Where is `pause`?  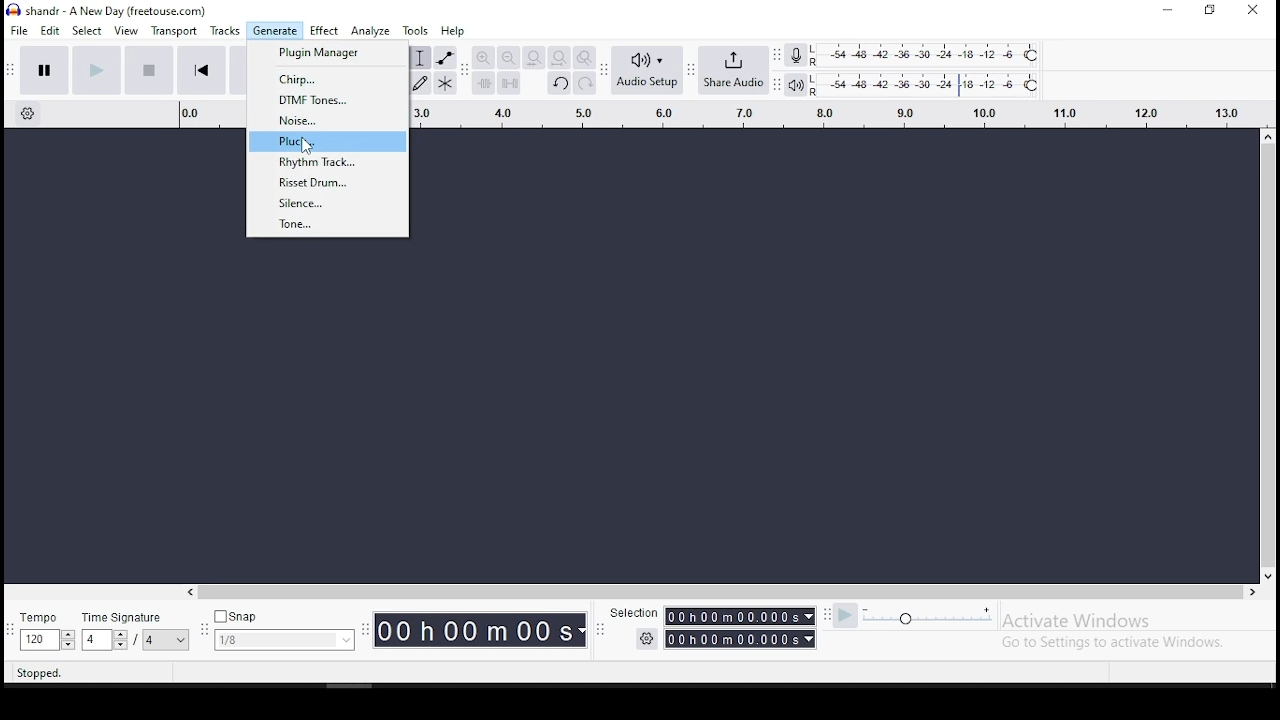
pause is located at coordinates (44, 70).